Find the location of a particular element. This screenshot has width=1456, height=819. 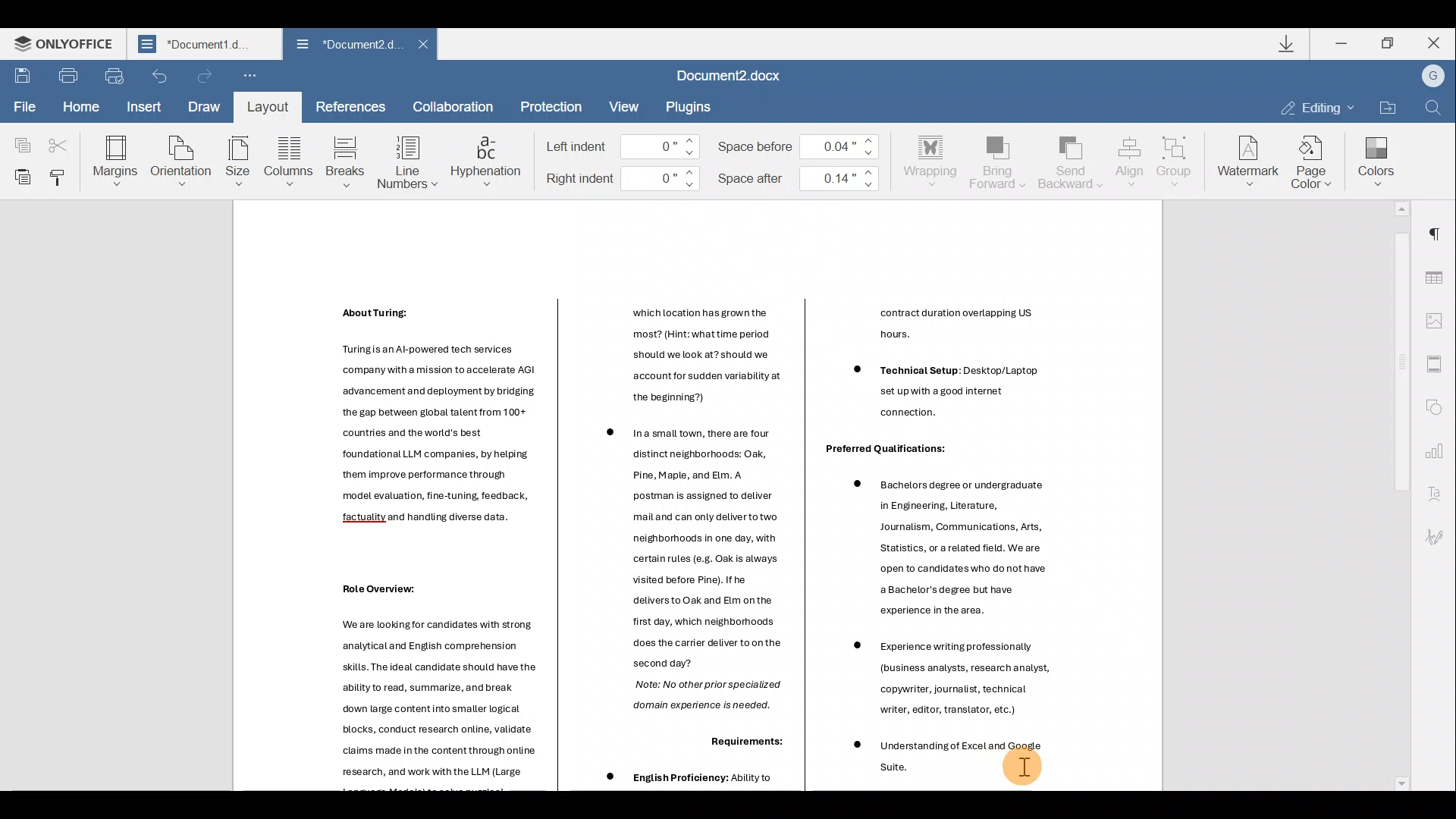

Breaks is located at coordinates (344, 162).